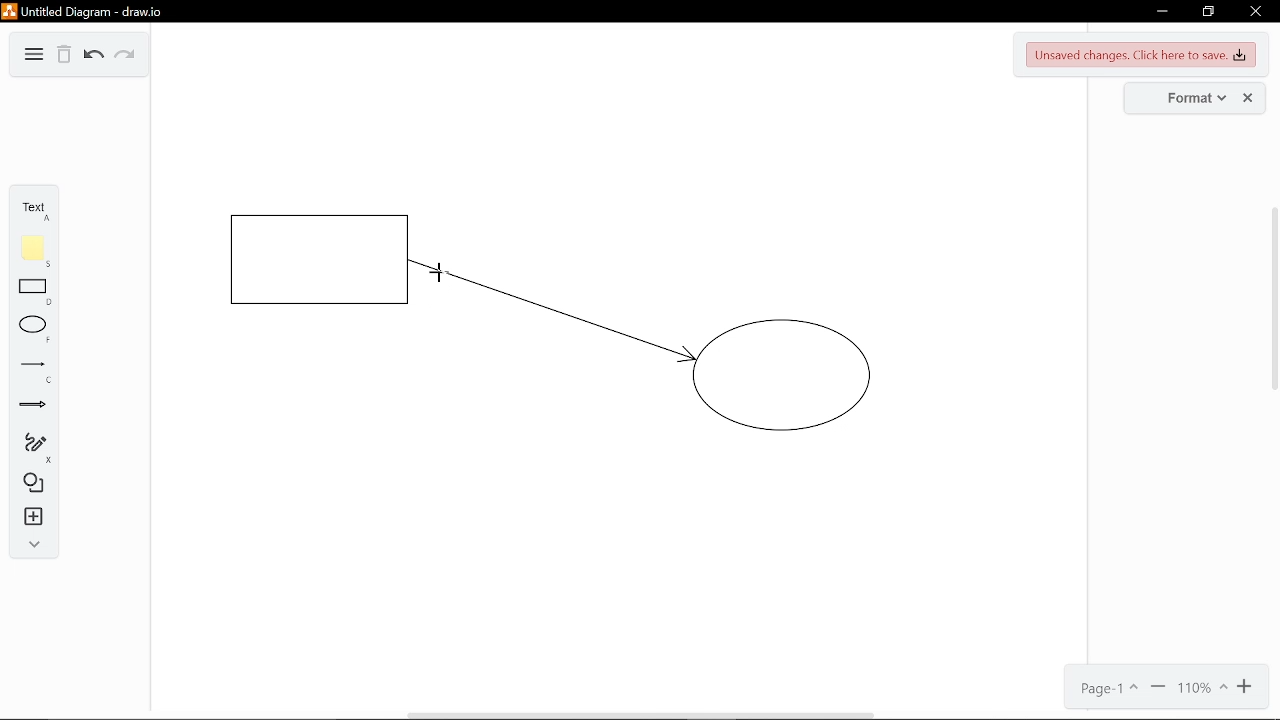  I want to click on Arrow, so click(30, 409).